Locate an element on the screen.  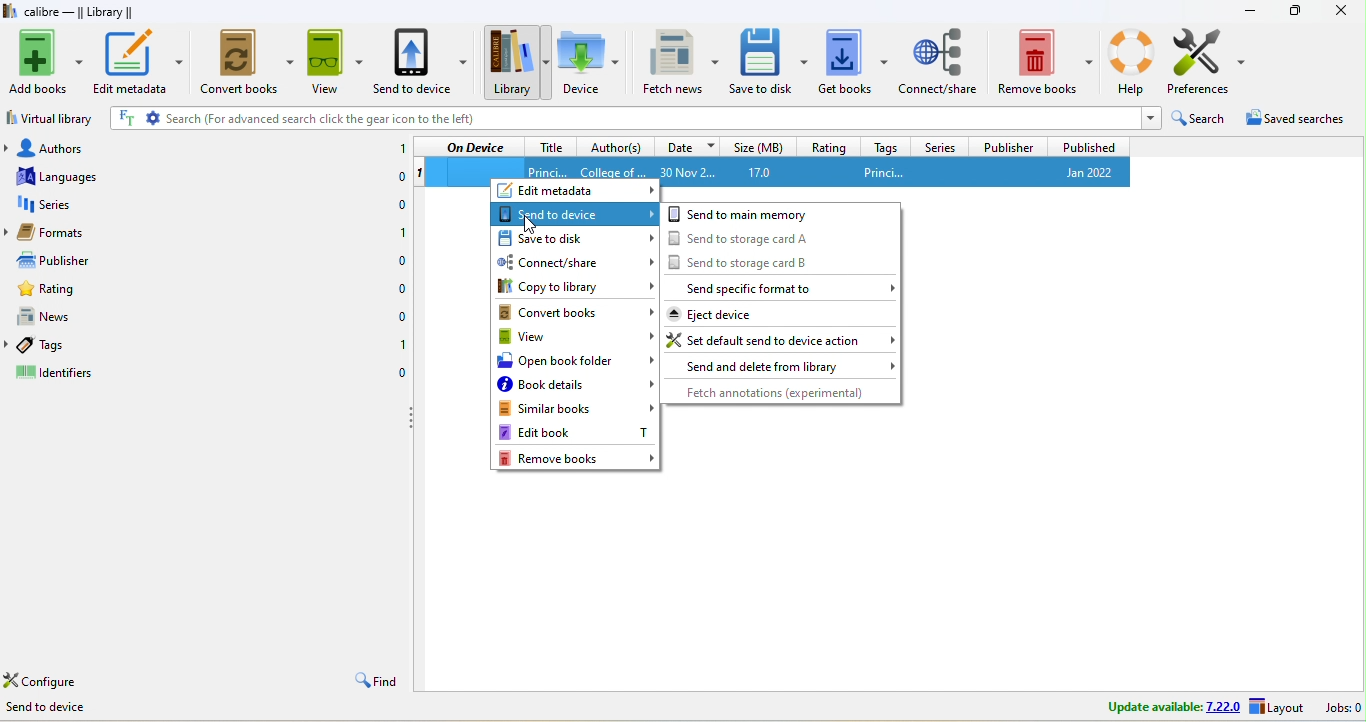
1 is located at coordinates (401, 349).